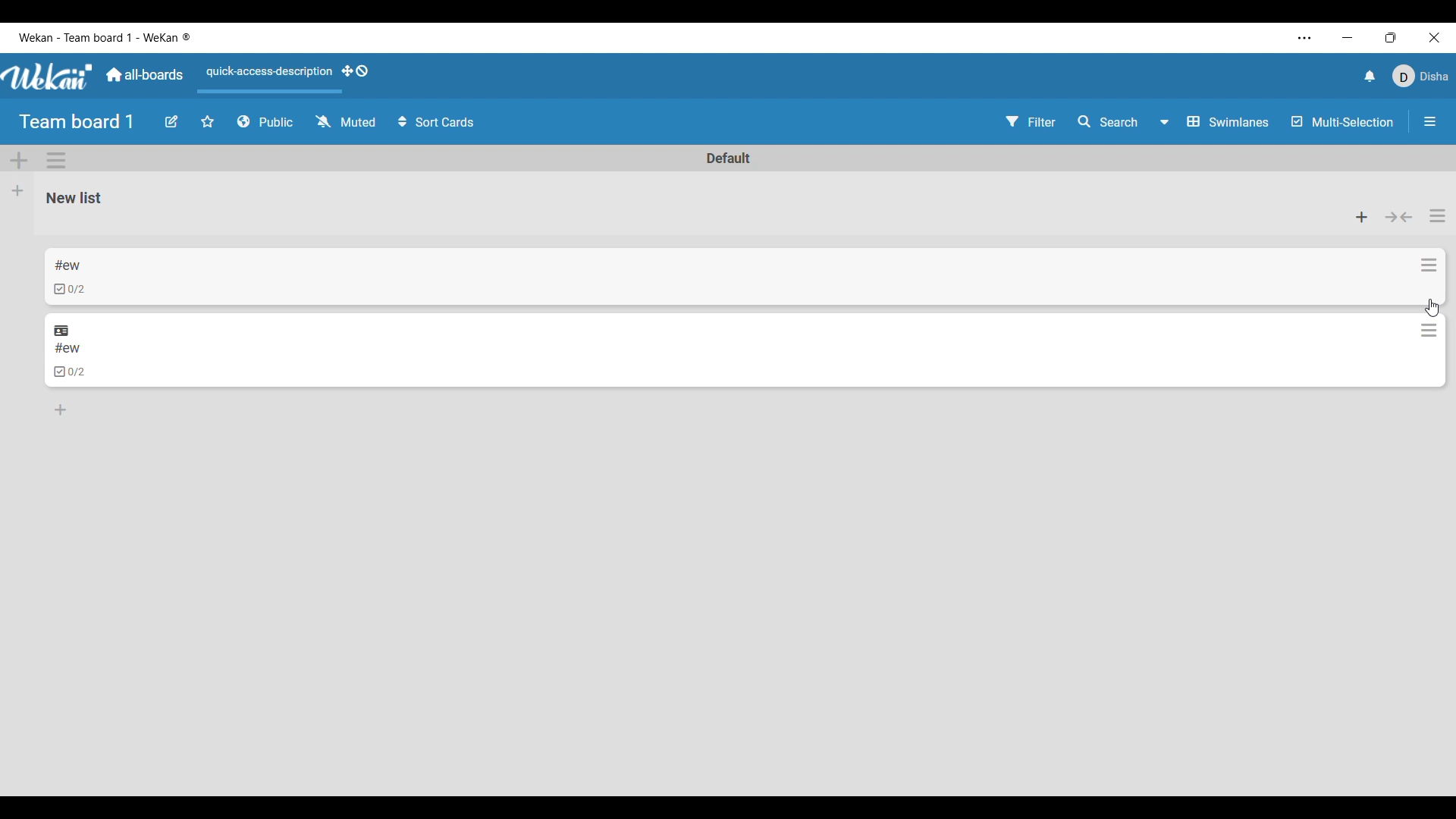 The height and width of the screenshot is (819, 1456). What do you see at coordinates (71, 371) in the screenshot?
I see `Indicates checklists in card` at bounding box center [71, 371].